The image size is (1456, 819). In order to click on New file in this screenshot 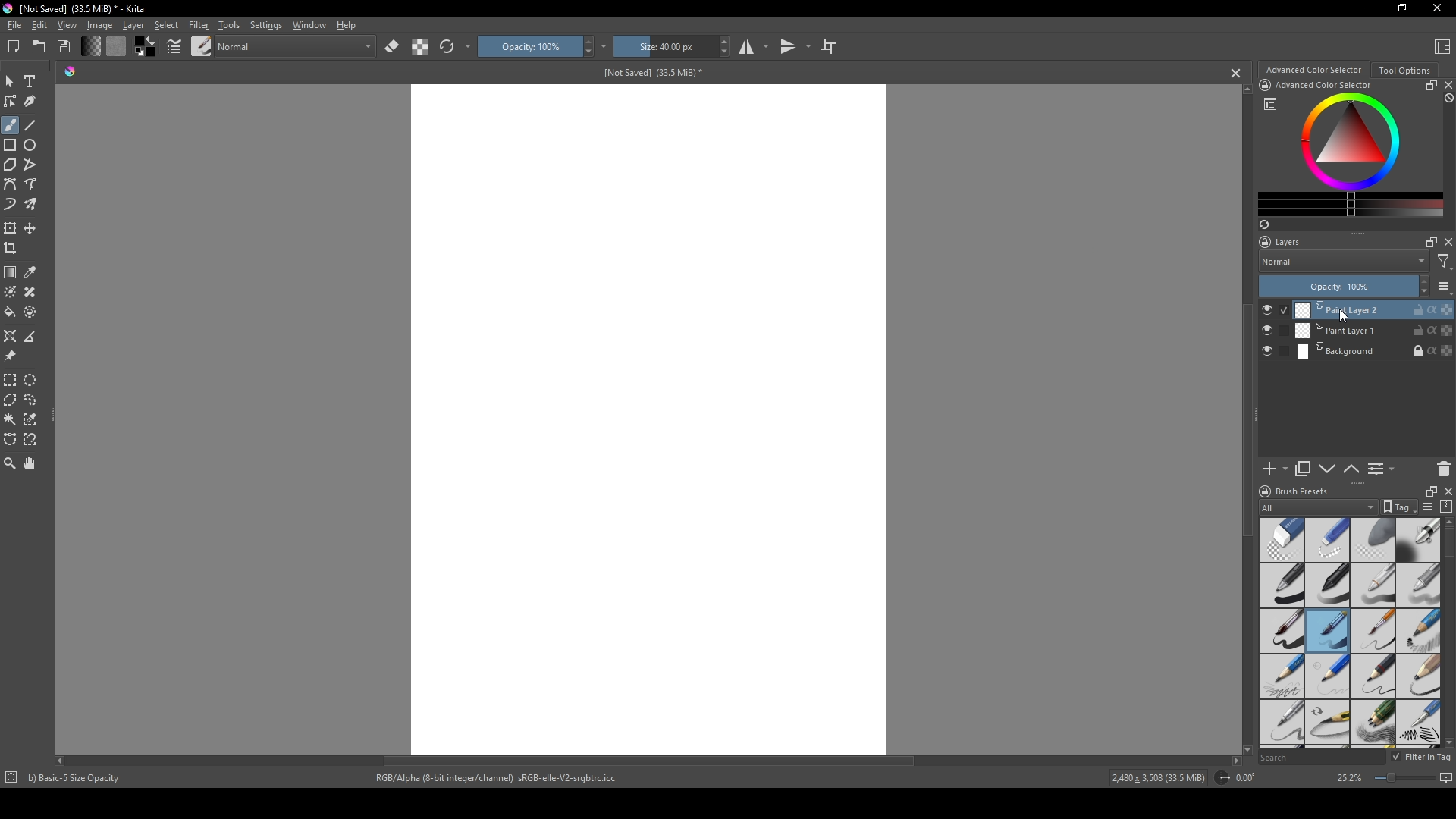, I will do `click(11, 48)`.